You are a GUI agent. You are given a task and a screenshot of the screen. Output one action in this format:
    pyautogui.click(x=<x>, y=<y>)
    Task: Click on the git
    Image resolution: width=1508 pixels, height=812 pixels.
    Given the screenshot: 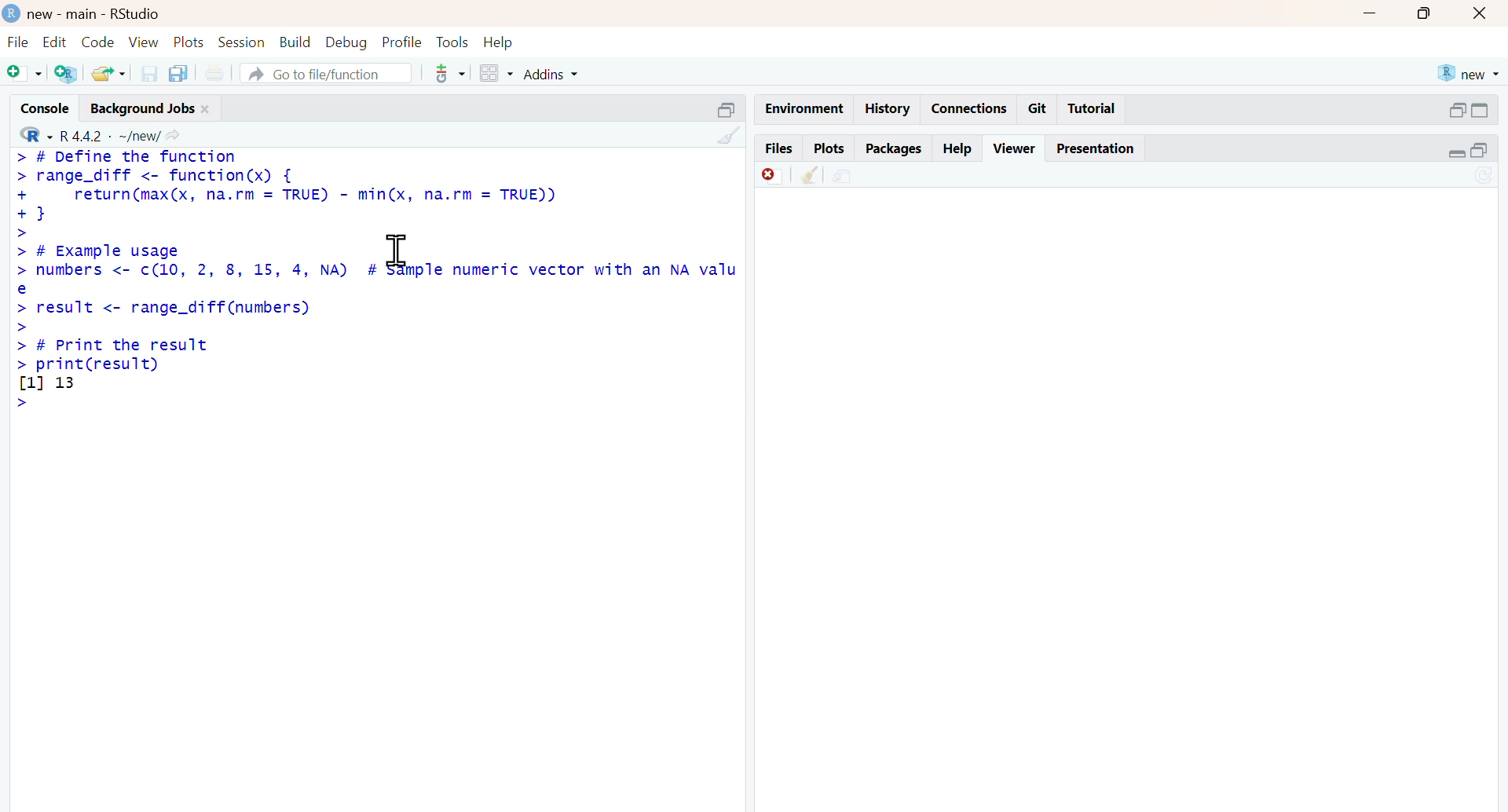 What is the action you would take?
    pyautogui.click(x=1038, y=108)
    